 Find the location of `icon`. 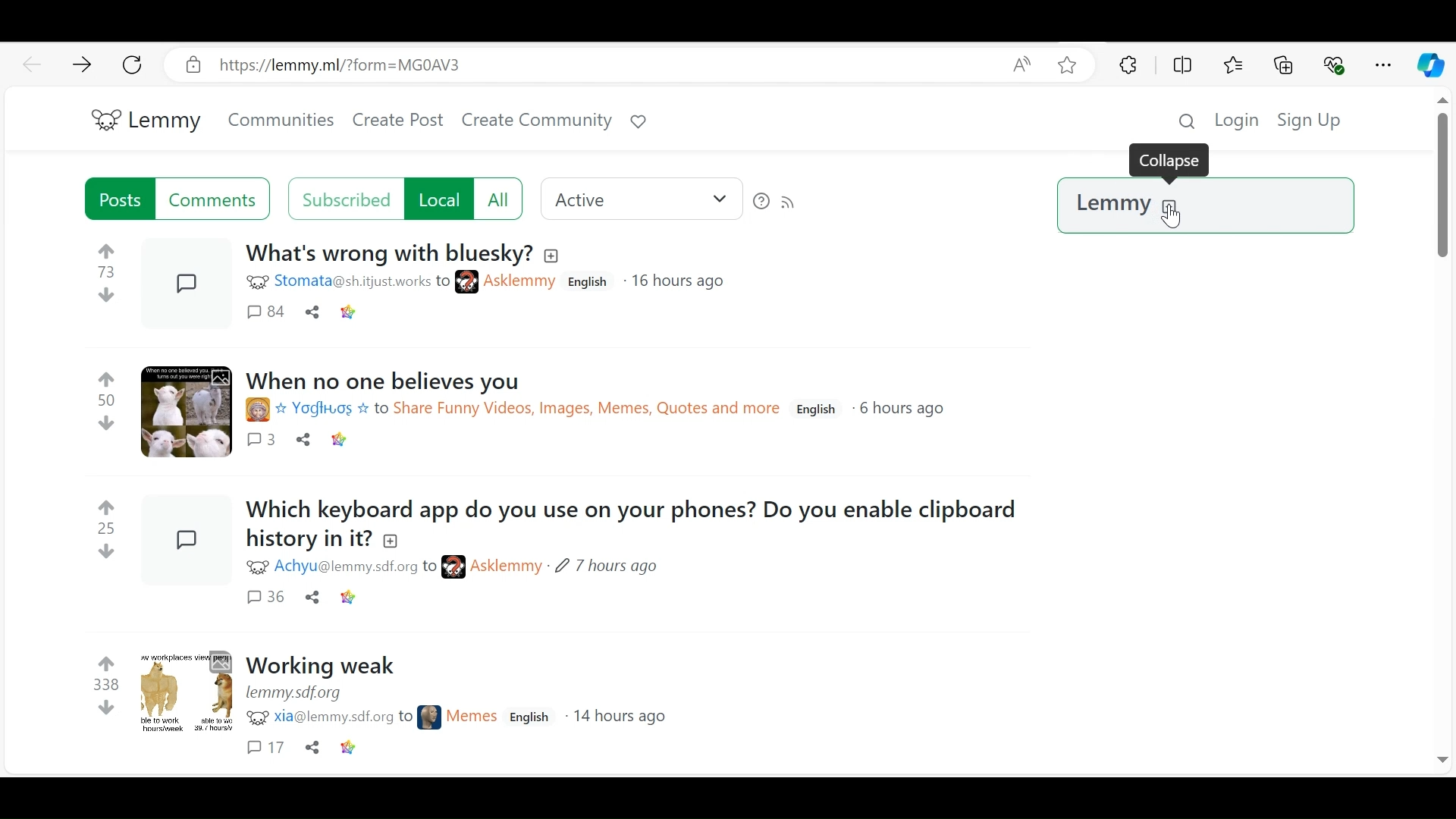

icon is located at coordinates (256, 283).